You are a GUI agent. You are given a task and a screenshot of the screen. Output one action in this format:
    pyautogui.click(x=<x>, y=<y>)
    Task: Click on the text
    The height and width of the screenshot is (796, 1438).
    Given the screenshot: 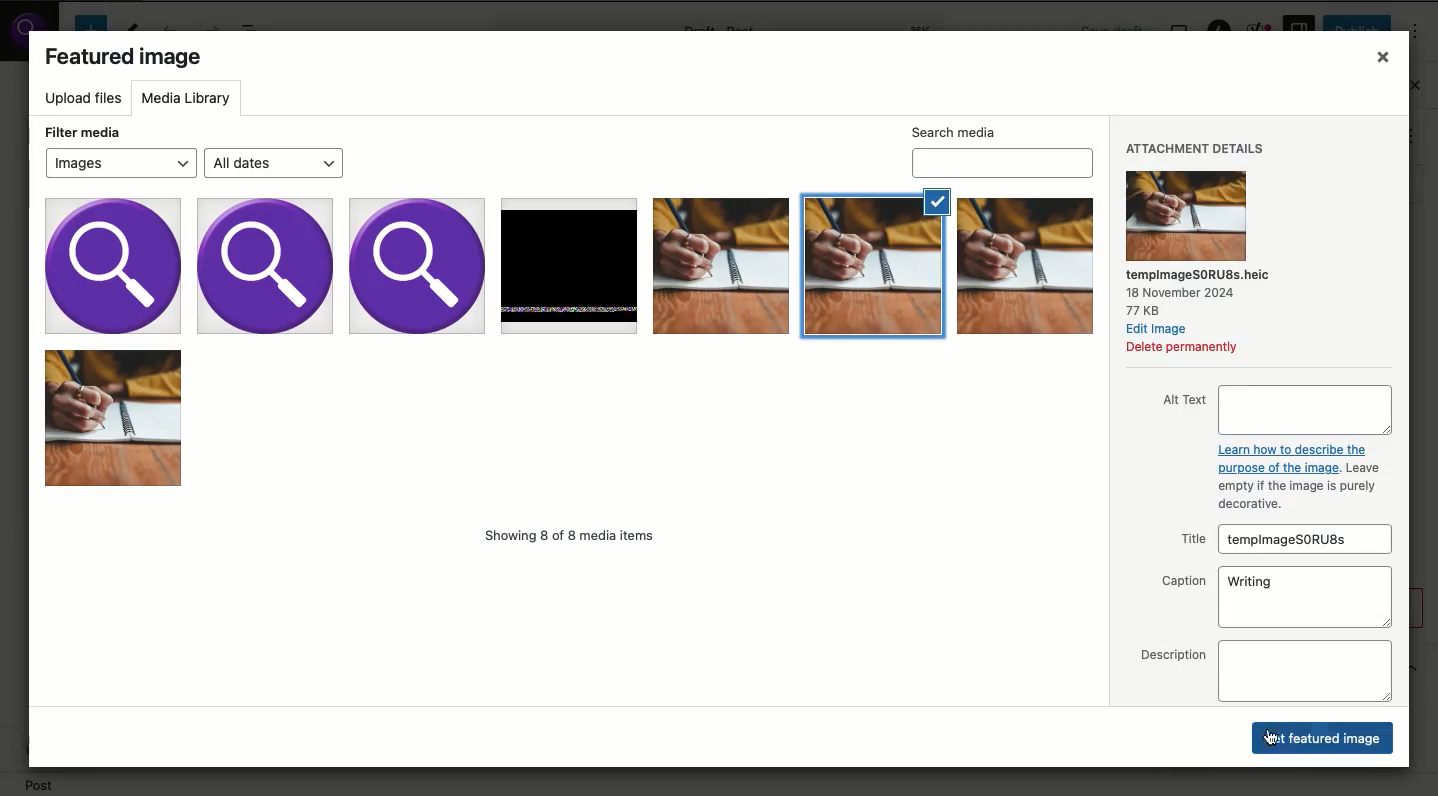 What is the action you would take?
    pyautogui.click(x=1191, y=540)
    